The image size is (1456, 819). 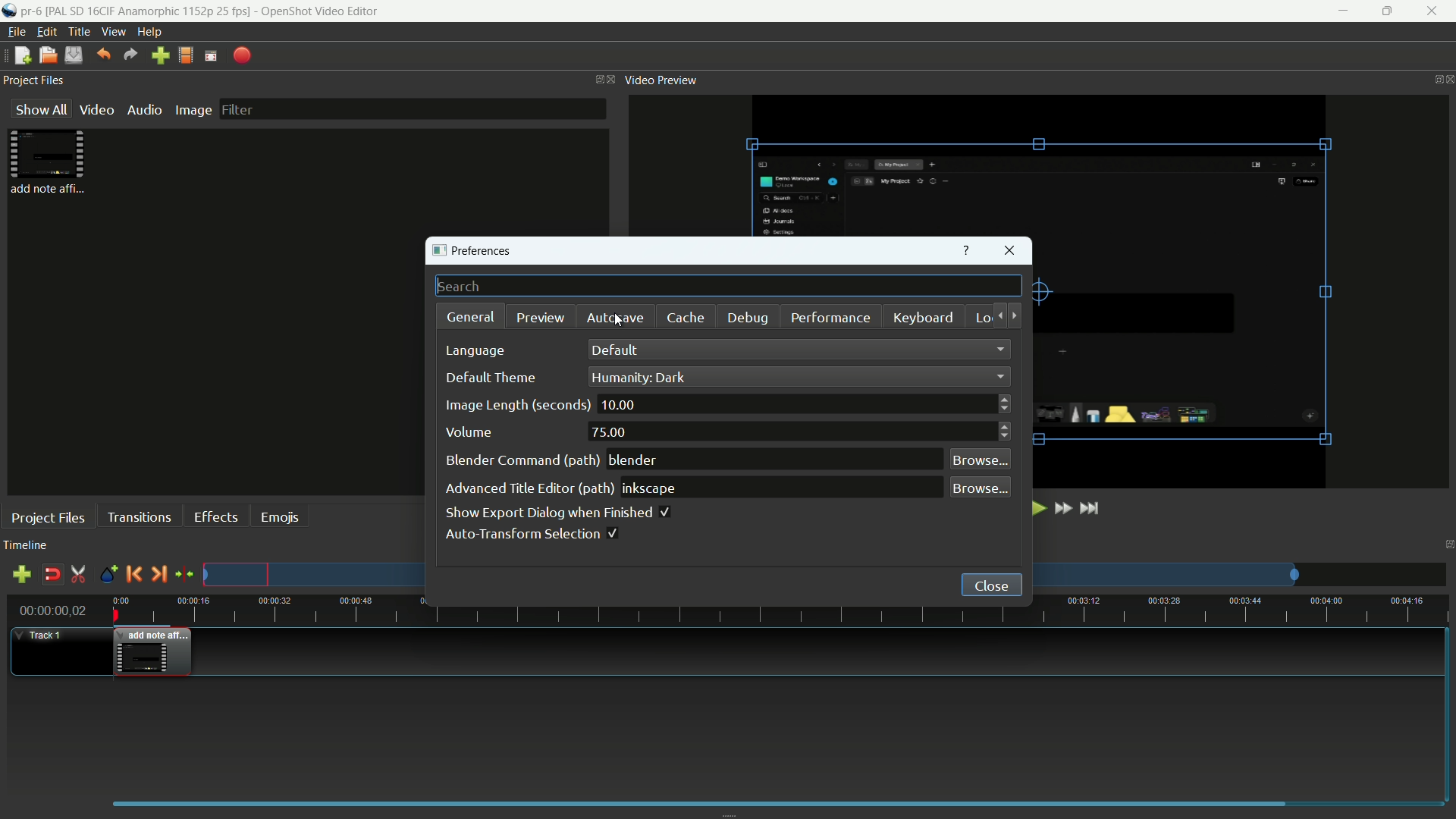 I want to click on show export dialog when finished, so click(x=556, y=513).